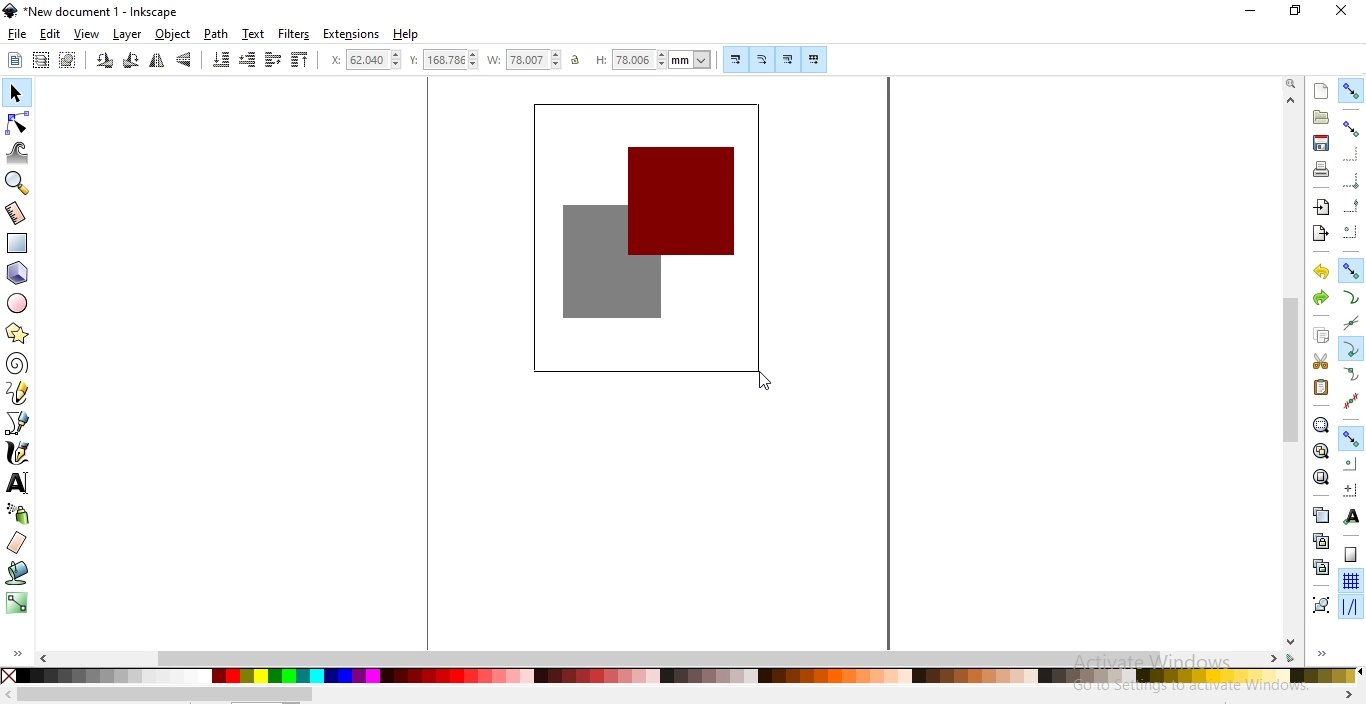 This screenshot has height=704, width=1366. I want to click on cut, so click(1320, 362).